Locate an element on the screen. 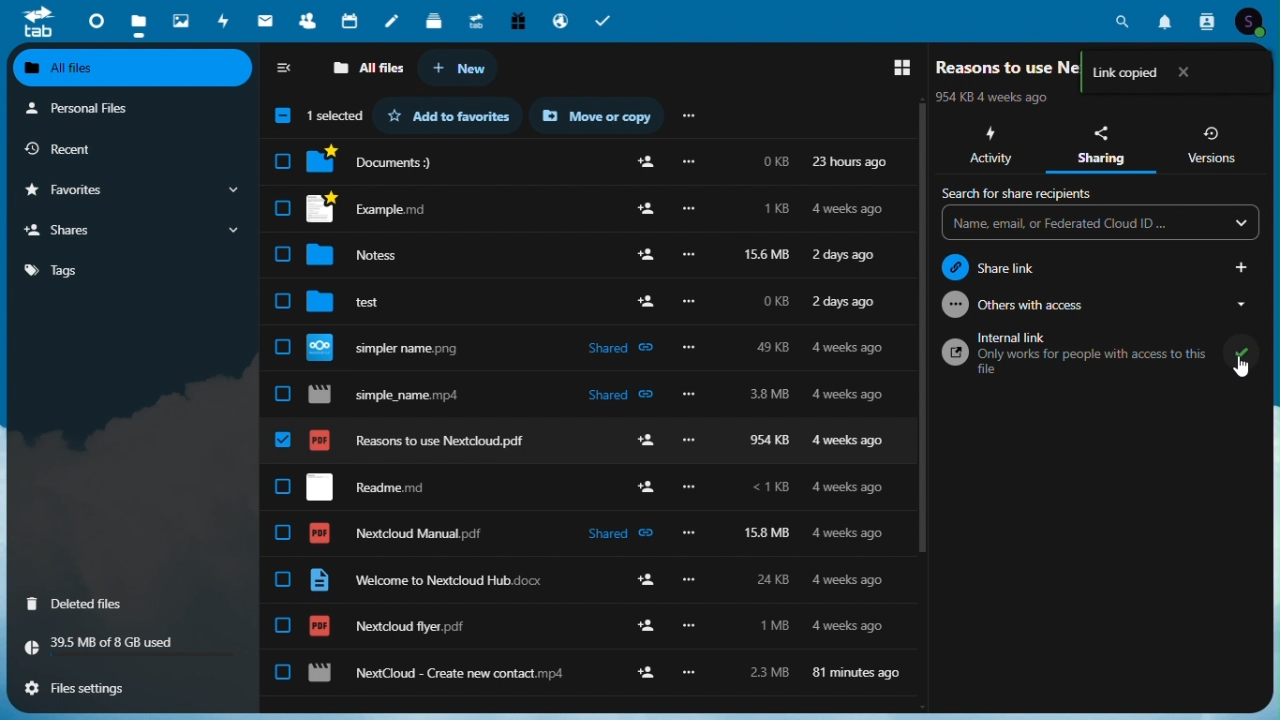 The height and width of the screenshot is (720, 1280). last modified time is located at coordinates (996, 97).